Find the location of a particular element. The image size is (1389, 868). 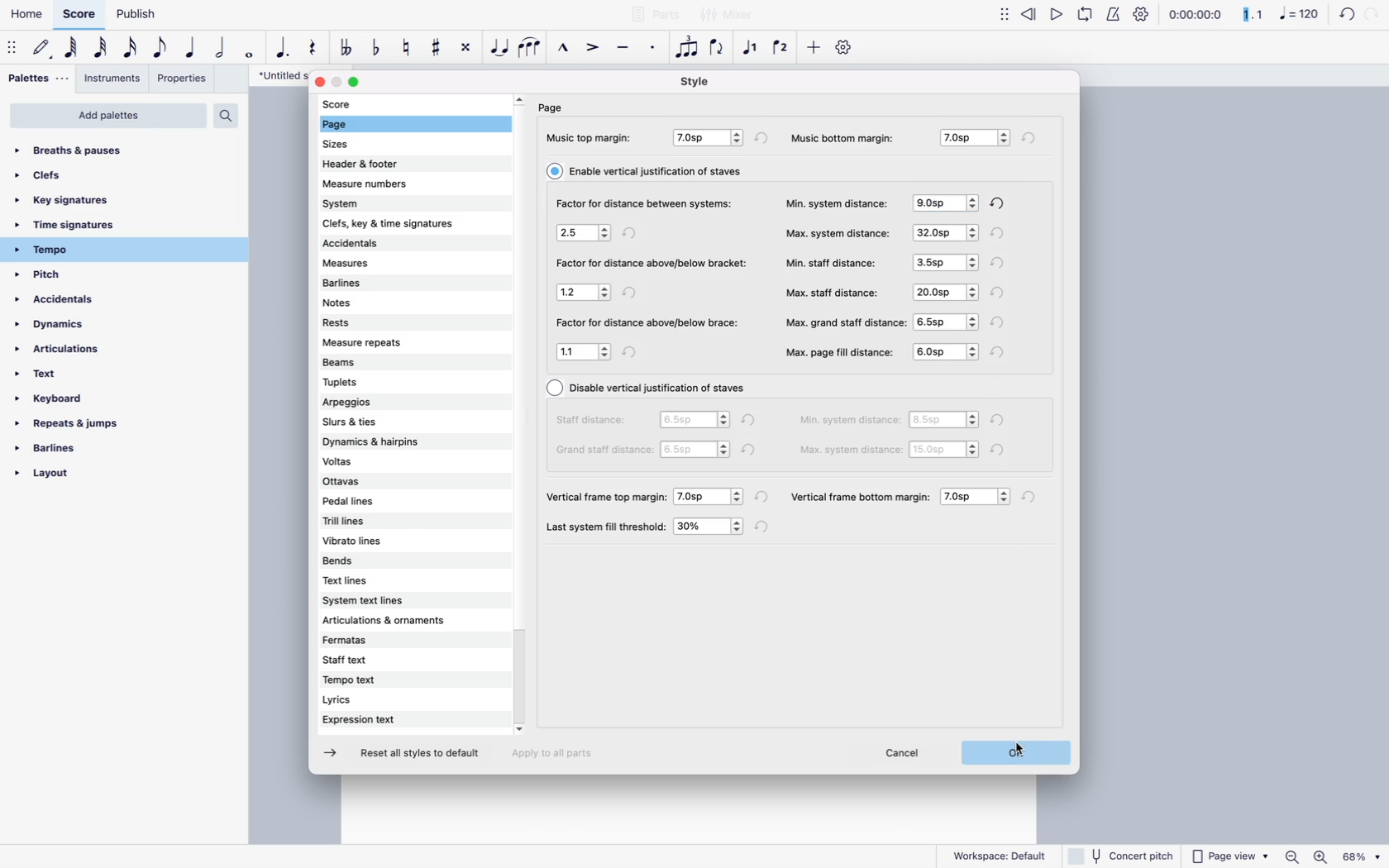

barlines is located at coordinates (377, 284).